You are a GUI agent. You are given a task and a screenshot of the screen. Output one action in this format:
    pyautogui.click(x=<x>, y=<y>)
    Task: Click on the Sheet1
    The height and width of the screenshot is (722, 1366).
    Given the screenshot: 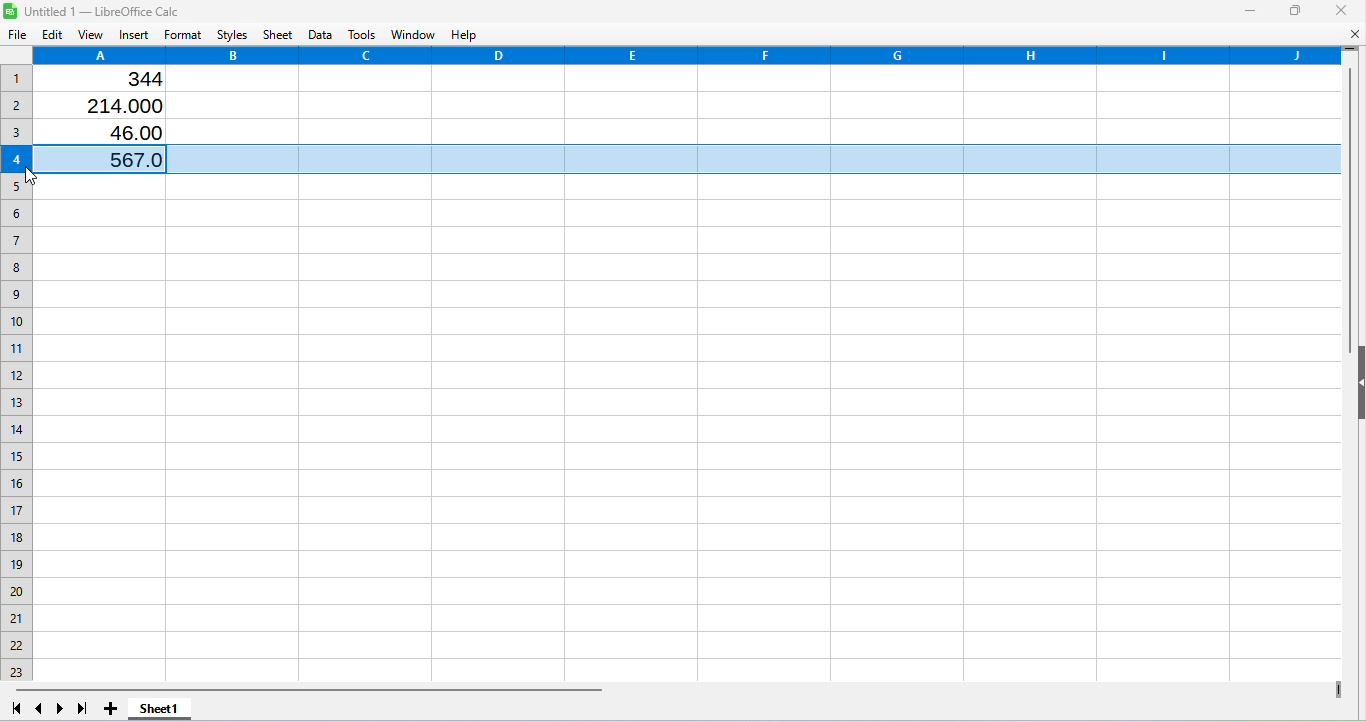 What is the action you would take?
    pyautogui.click(x=162, y=710)
    